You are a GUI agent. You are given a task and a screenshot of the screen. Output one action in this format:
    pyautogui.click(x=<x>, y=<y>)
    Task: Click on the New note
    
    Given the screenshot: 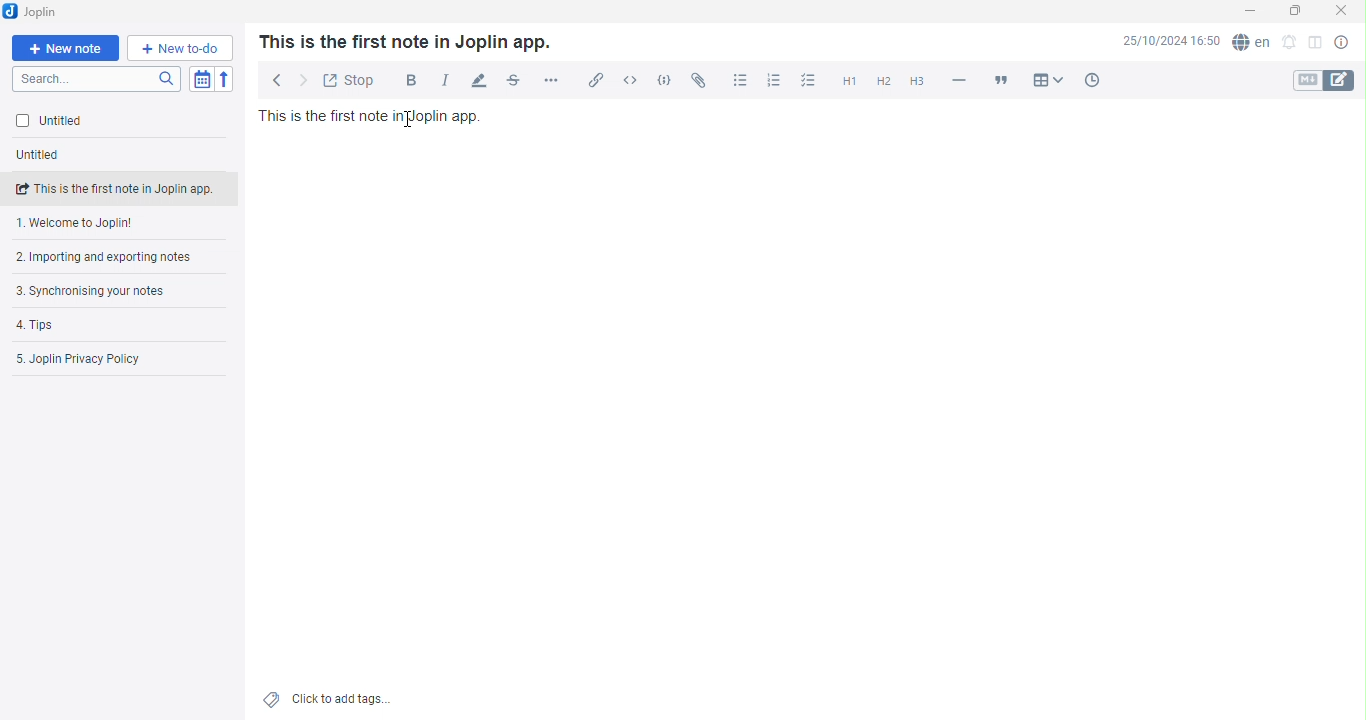 What is the action you would take?
    pyautogui.click(x=67, y=47)
    